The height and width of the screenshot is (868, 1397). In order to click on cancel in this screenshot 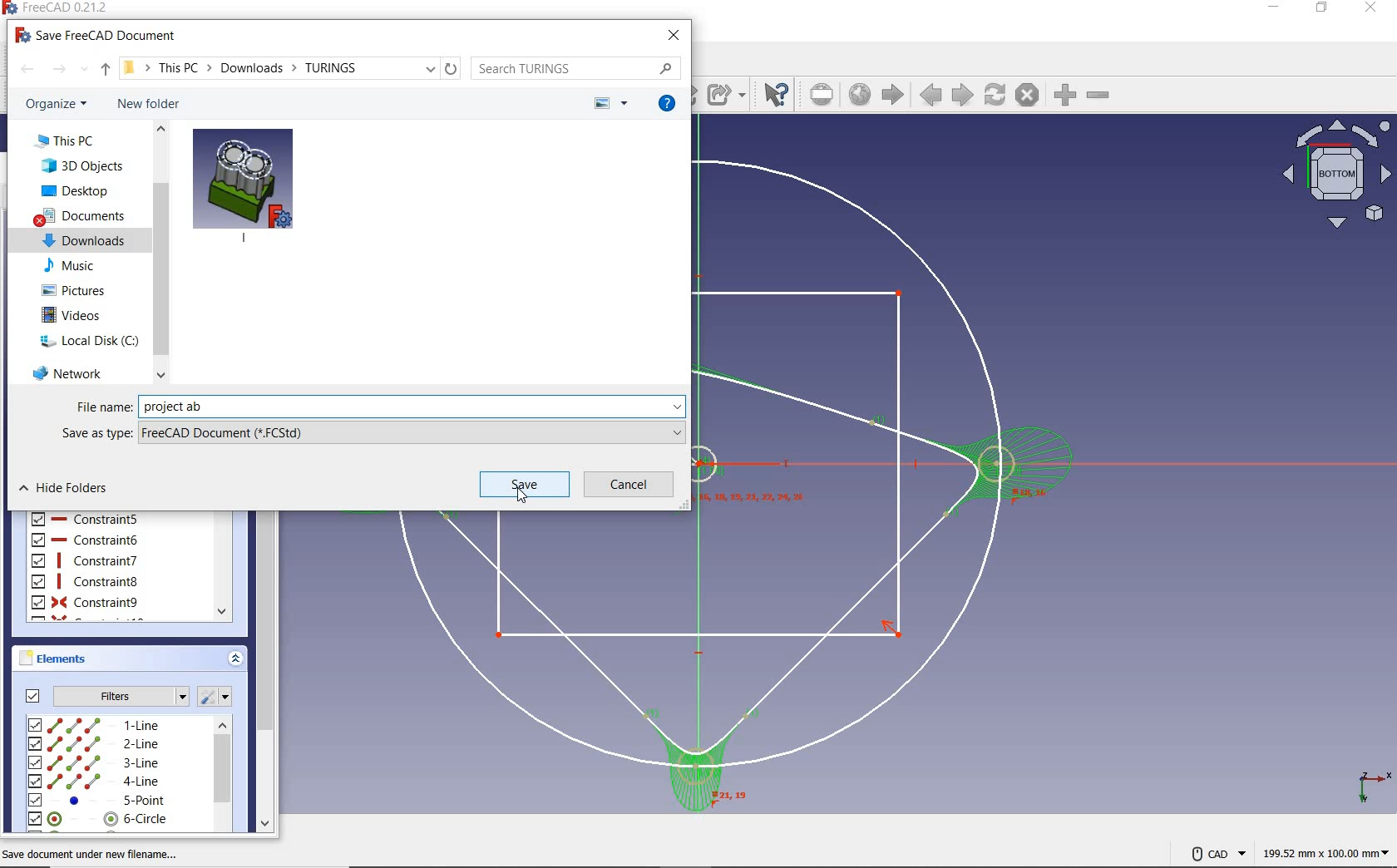, I will do `click(629, 484)`.